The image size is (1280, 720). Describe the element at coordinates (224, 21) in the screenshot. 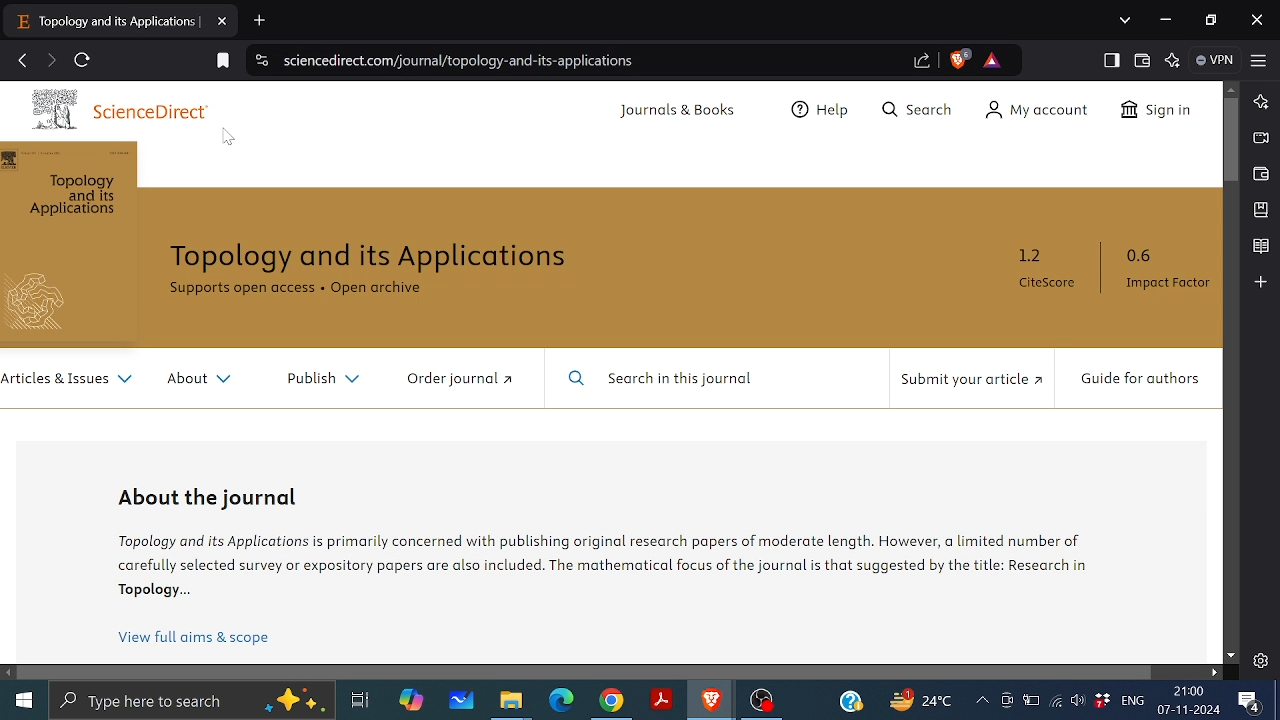

I see `Close current tab` at that location.